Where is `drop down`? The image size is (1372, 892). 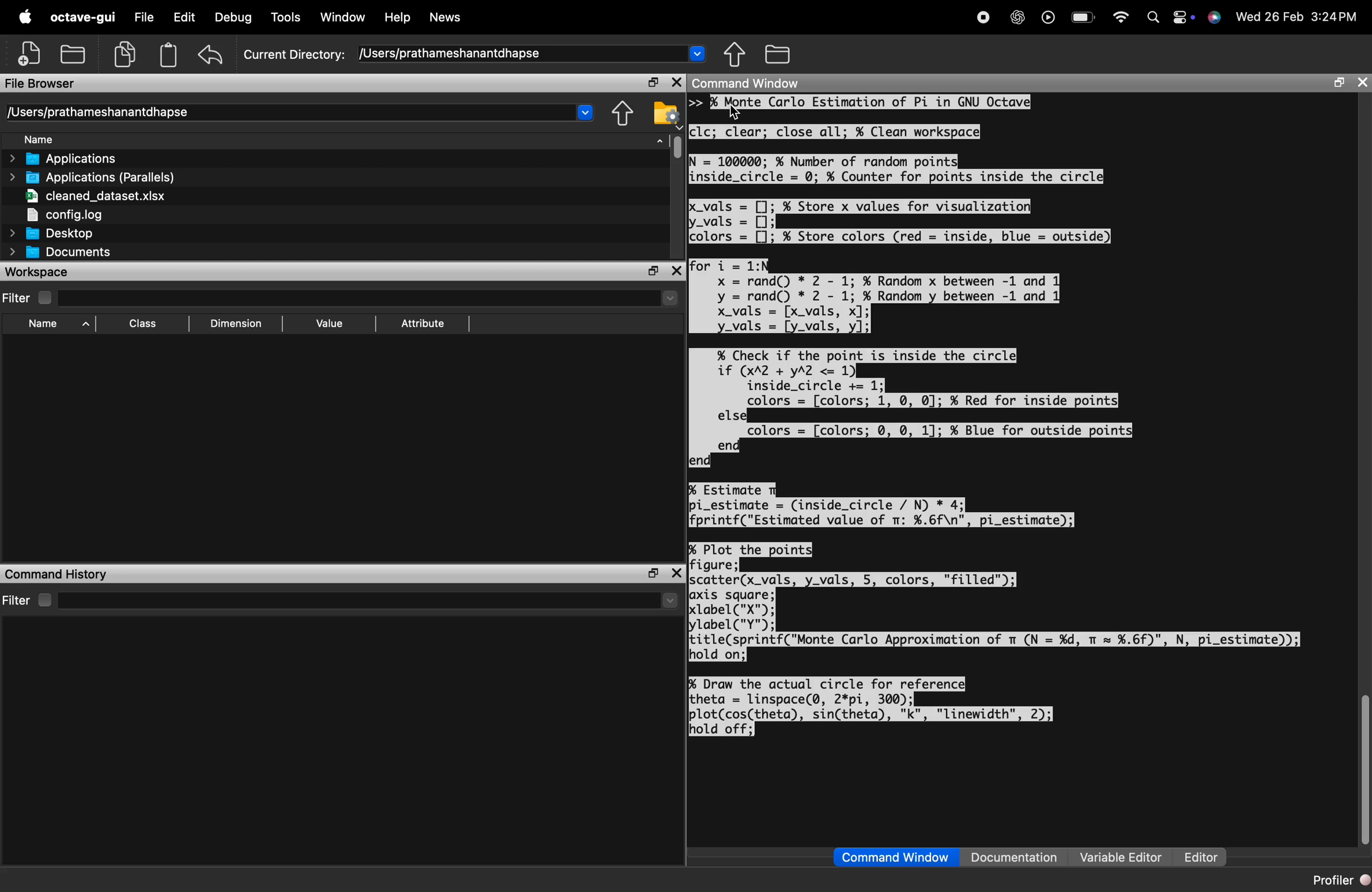 drop down is located at coordinates (669, 297).